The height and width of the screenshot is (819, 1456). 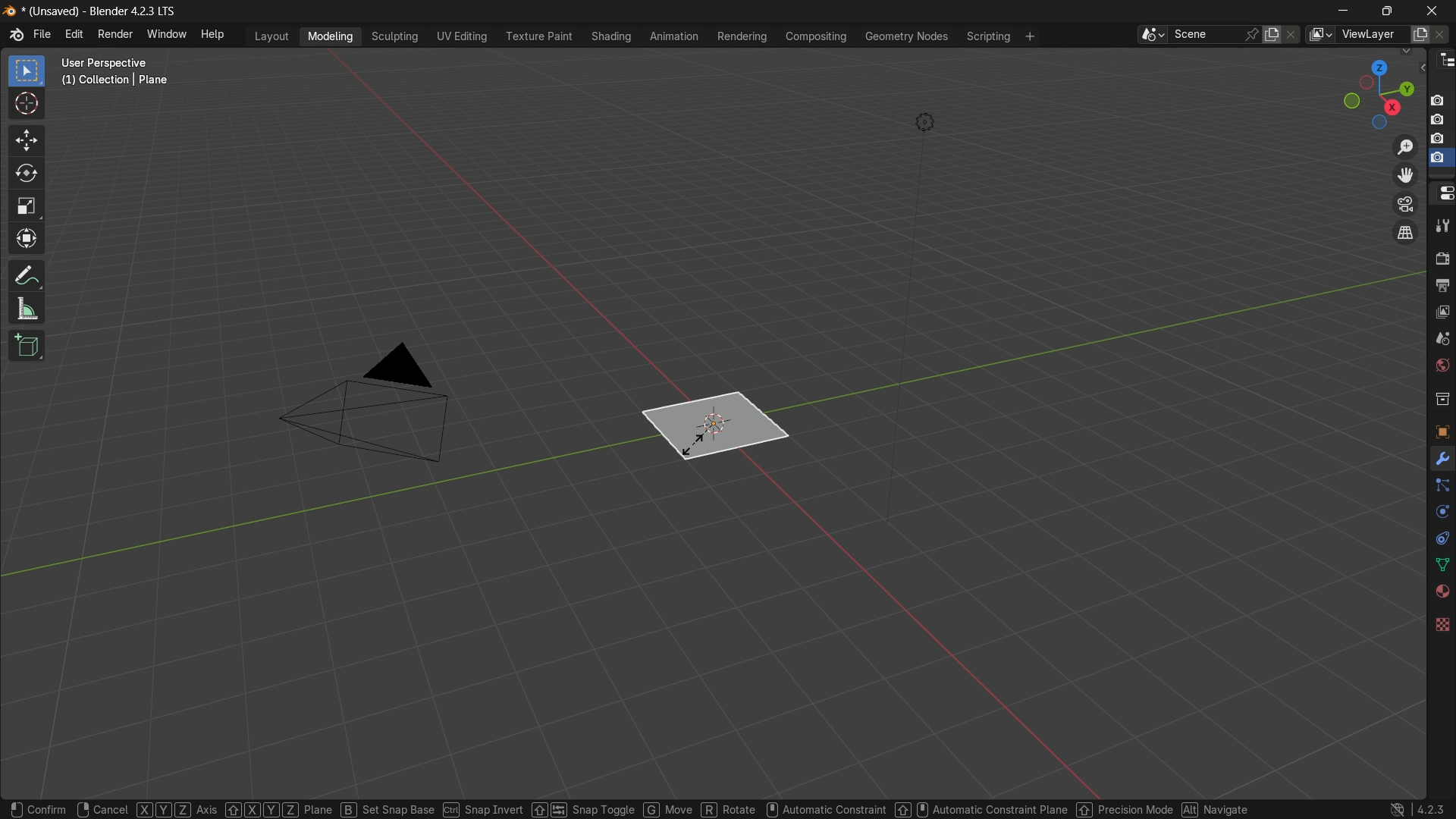 What do you see at coordinates (676, 36) in the screenshot?
I see `animation` at bounding box center [676, 36].